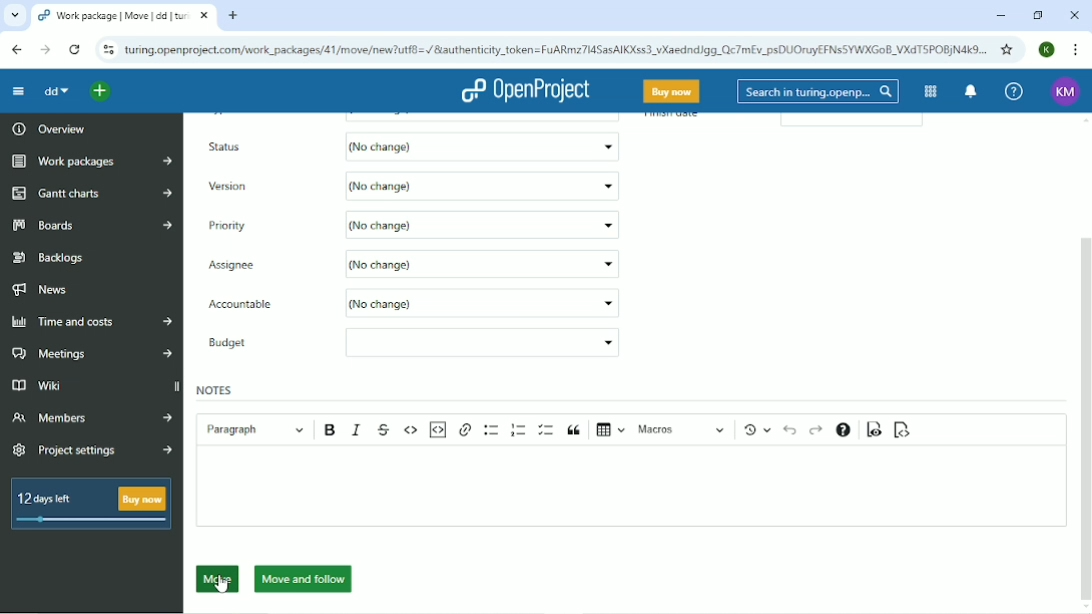  Describe the element at coordinates (250, 261) in the screenshot. I see `TypeAsignee` at that location.